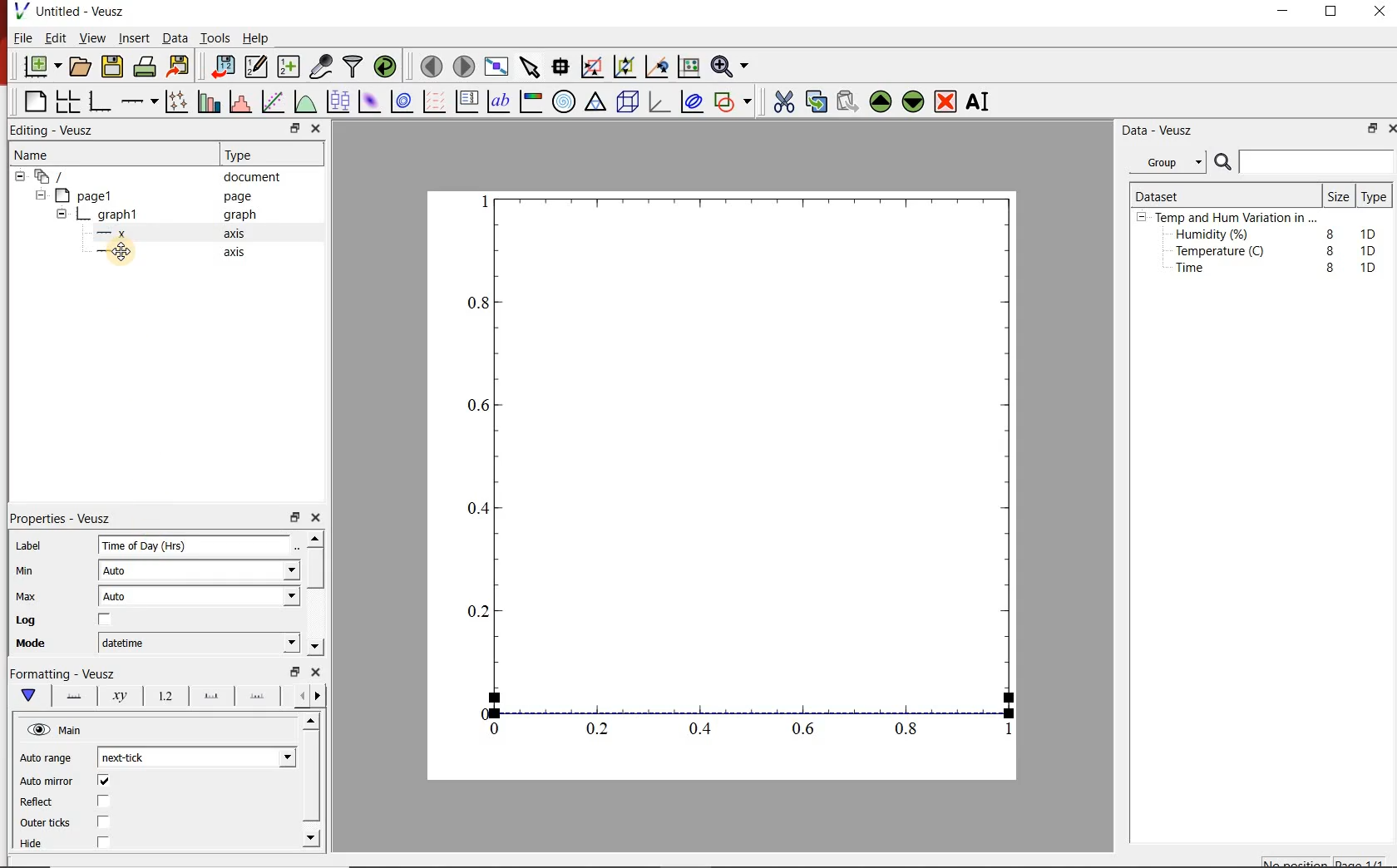  What do you see at coordinates (502, 101) in the screenshot?
I see `text label` at bounding box center [502, 101].